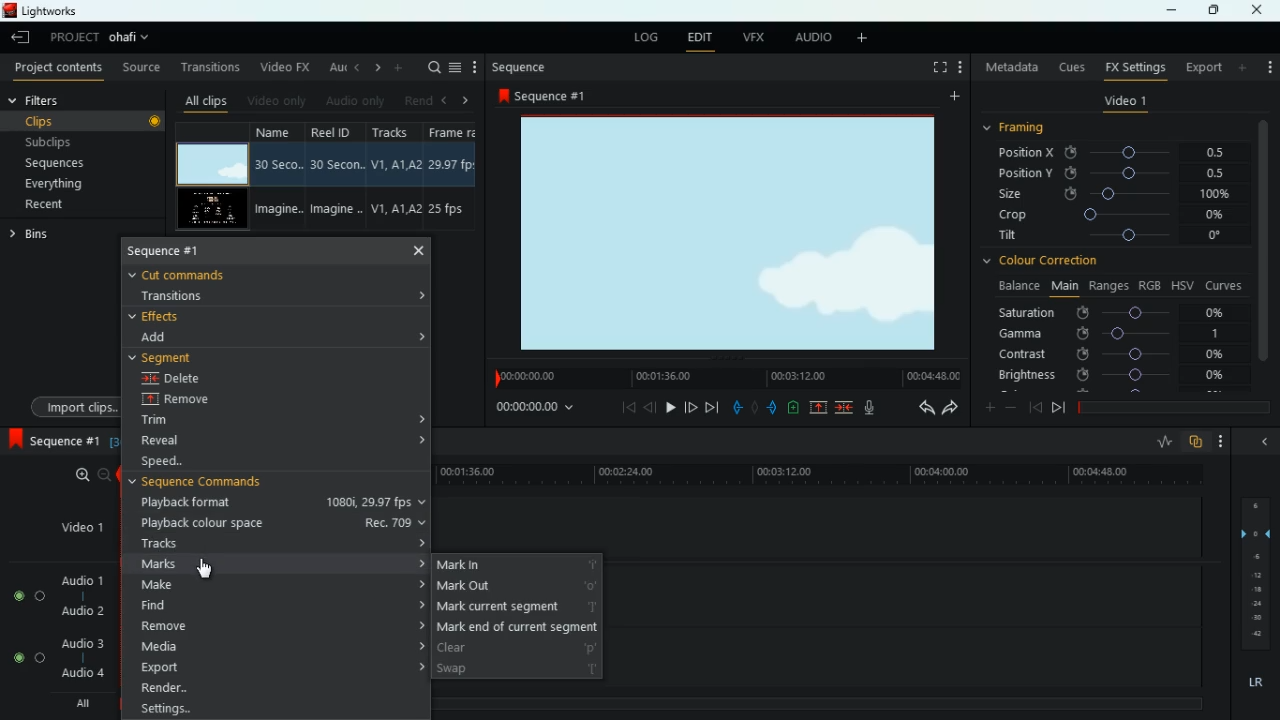 The image size is (1280, 720). Describe the element at coordinates (168, 709) in the screenshot. I see `` at that location.